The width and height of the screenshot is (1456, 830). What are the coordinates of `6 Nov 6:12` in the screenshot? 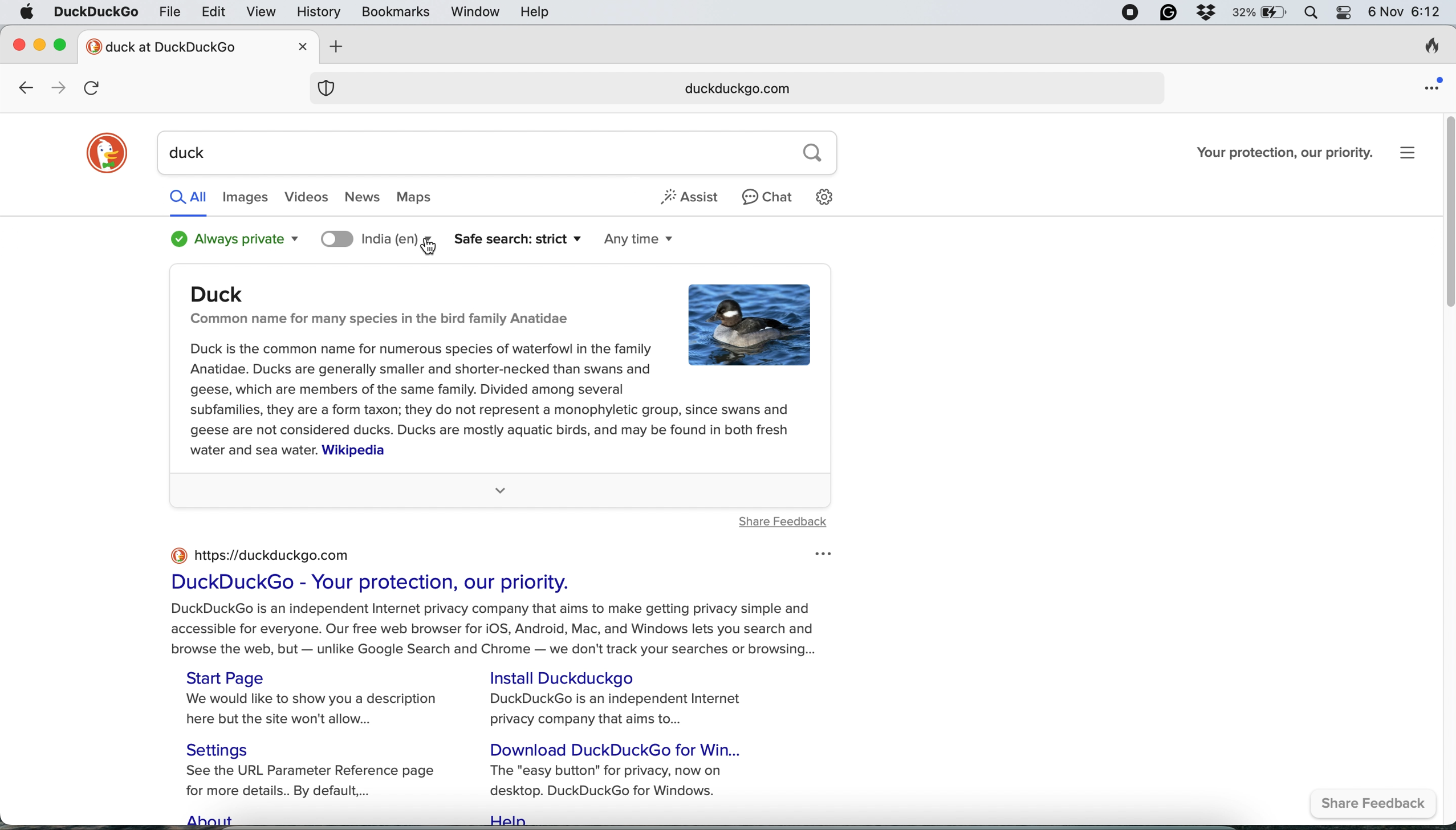 It's located at (1404, 14).